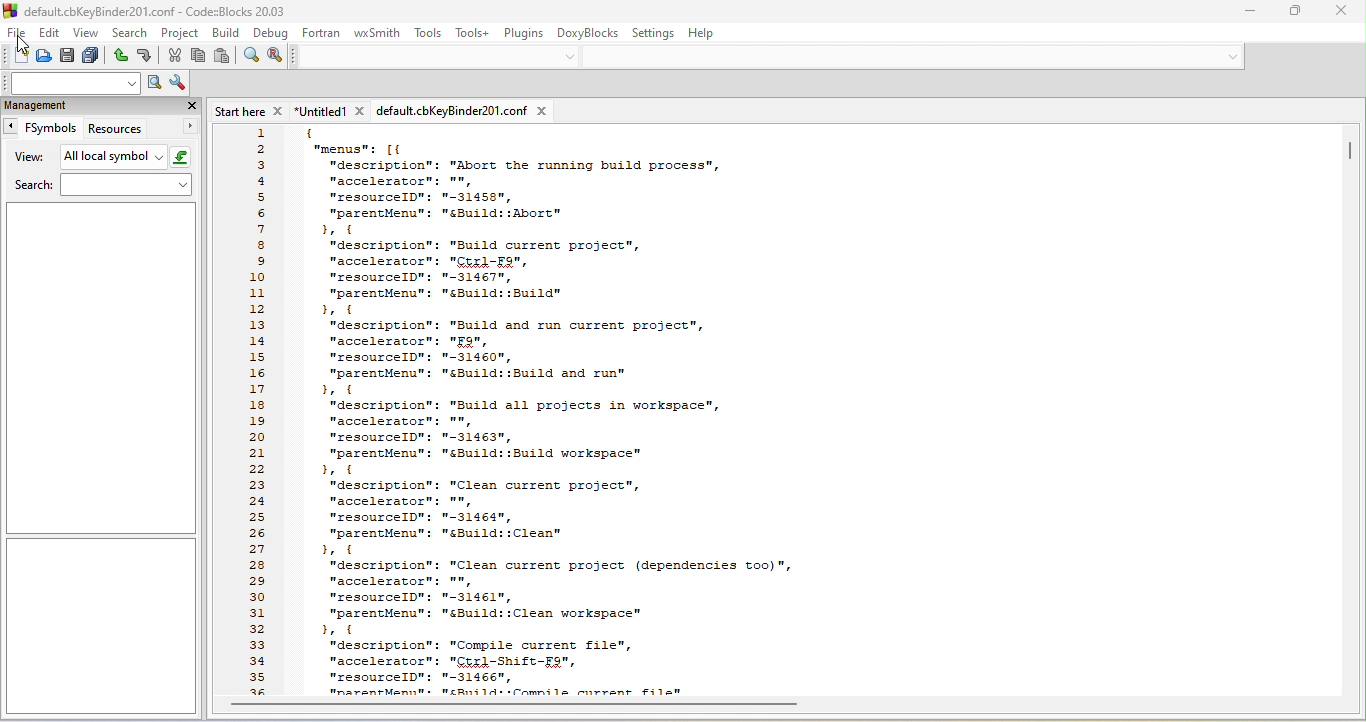  I want to click on replace, so click(275, 56).